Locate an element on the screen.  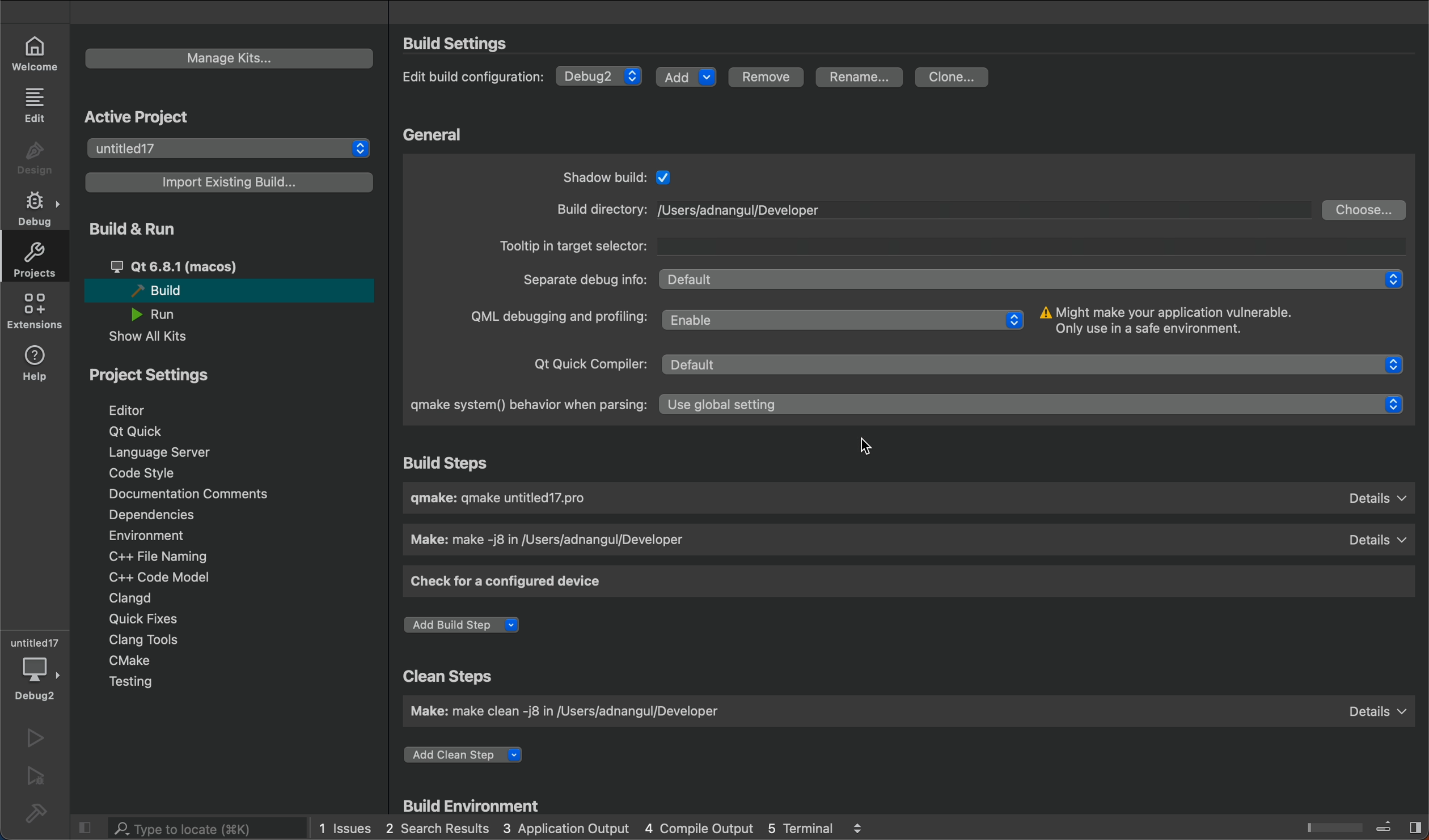
qt quick compiler is located at coordinates (577, 369).